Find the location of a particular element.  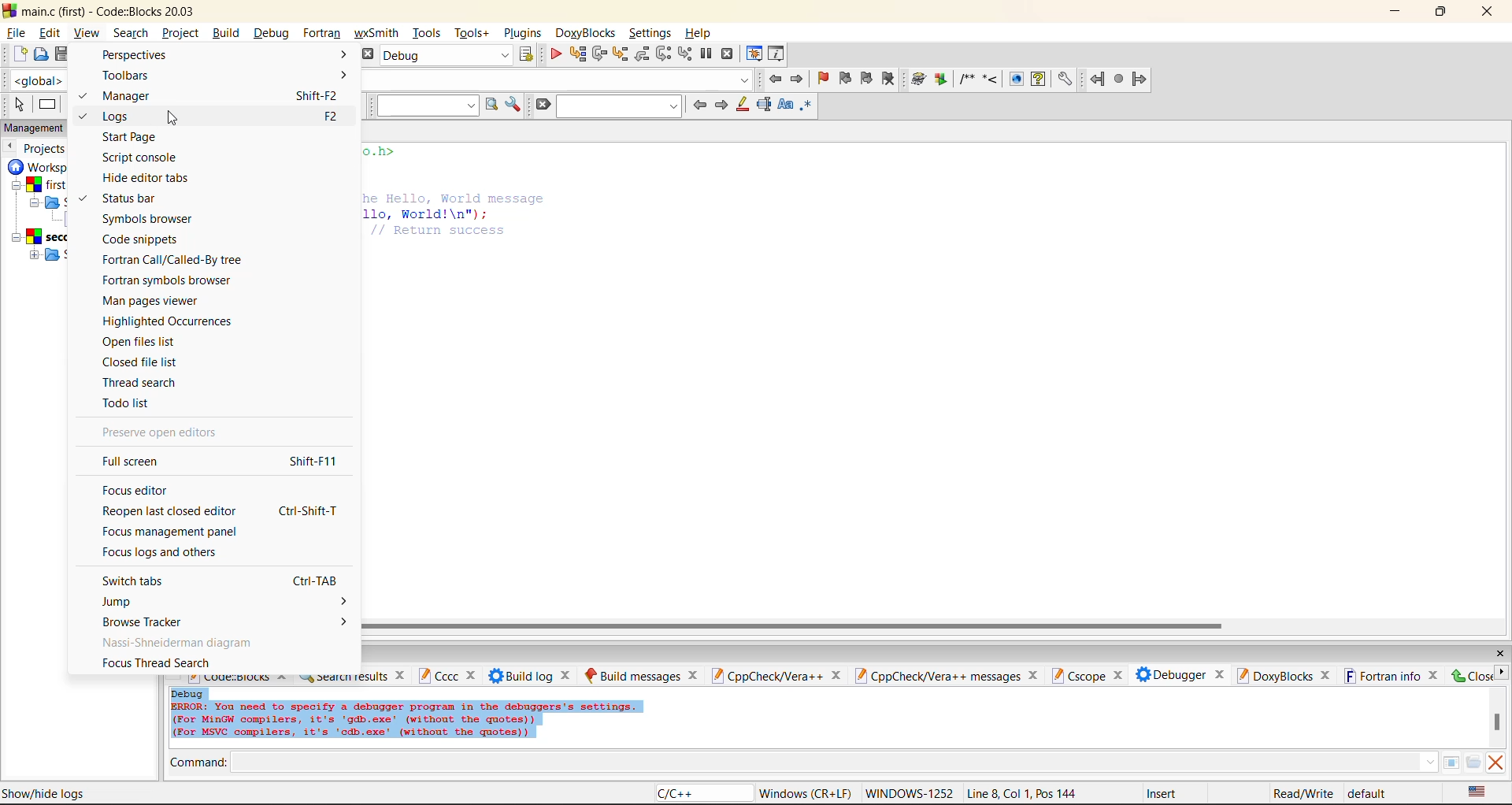

insert line is located at coordinates (991, 80).